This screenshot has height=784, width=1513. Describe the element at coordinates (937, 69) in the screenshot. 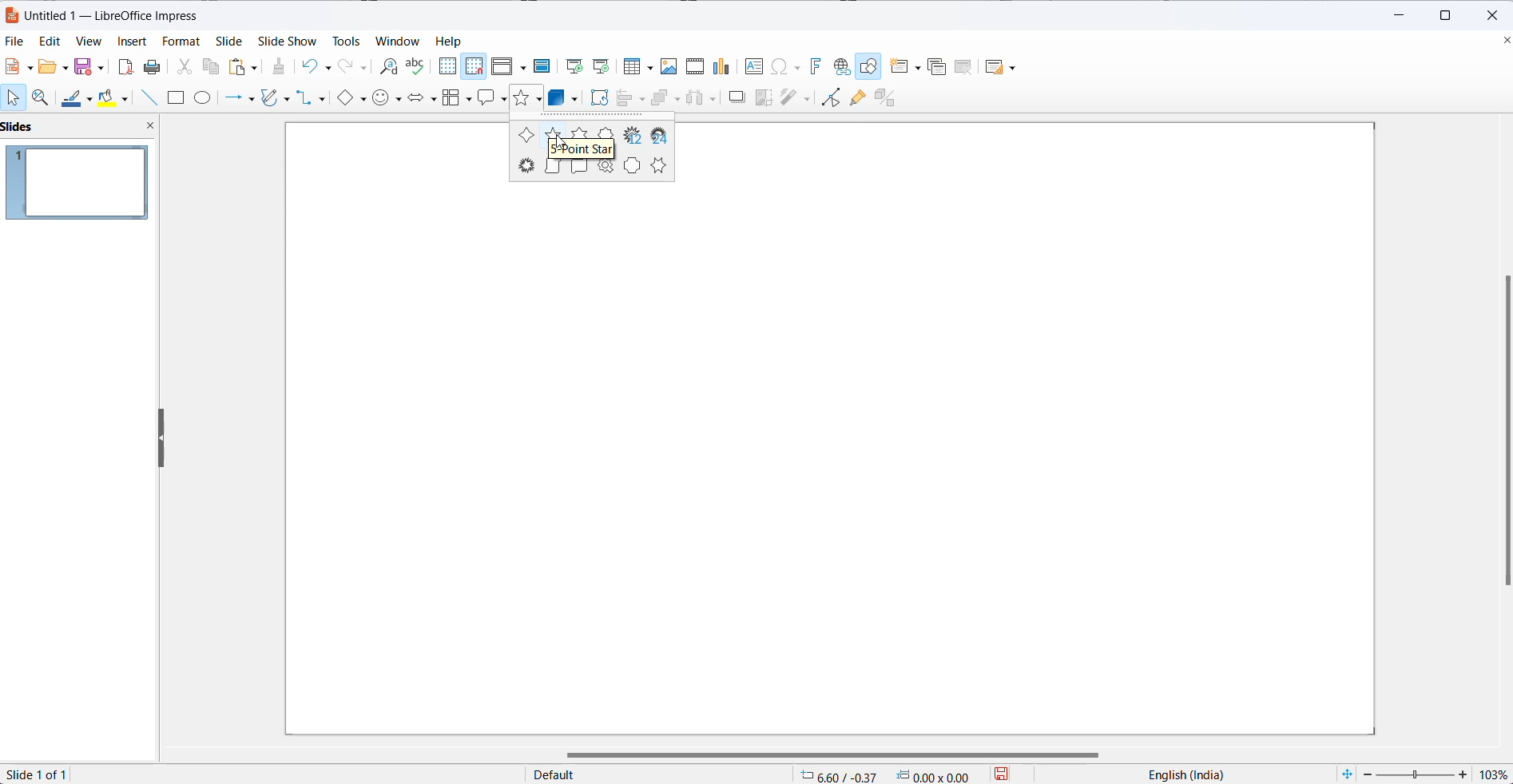

I see `DUPLICATE SLIDE` at that location.